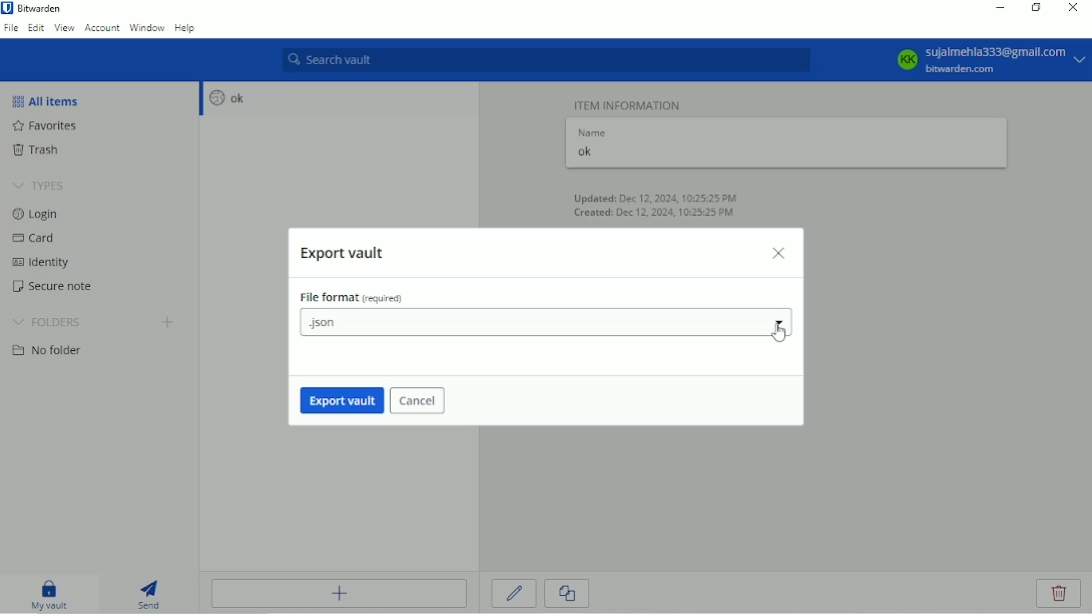  What do you see at coordinates (659, 197) in the screenshot?
I see `Updated: Dec 12, 2024,    10:25:25 PM` at bounding box center [659, 197].